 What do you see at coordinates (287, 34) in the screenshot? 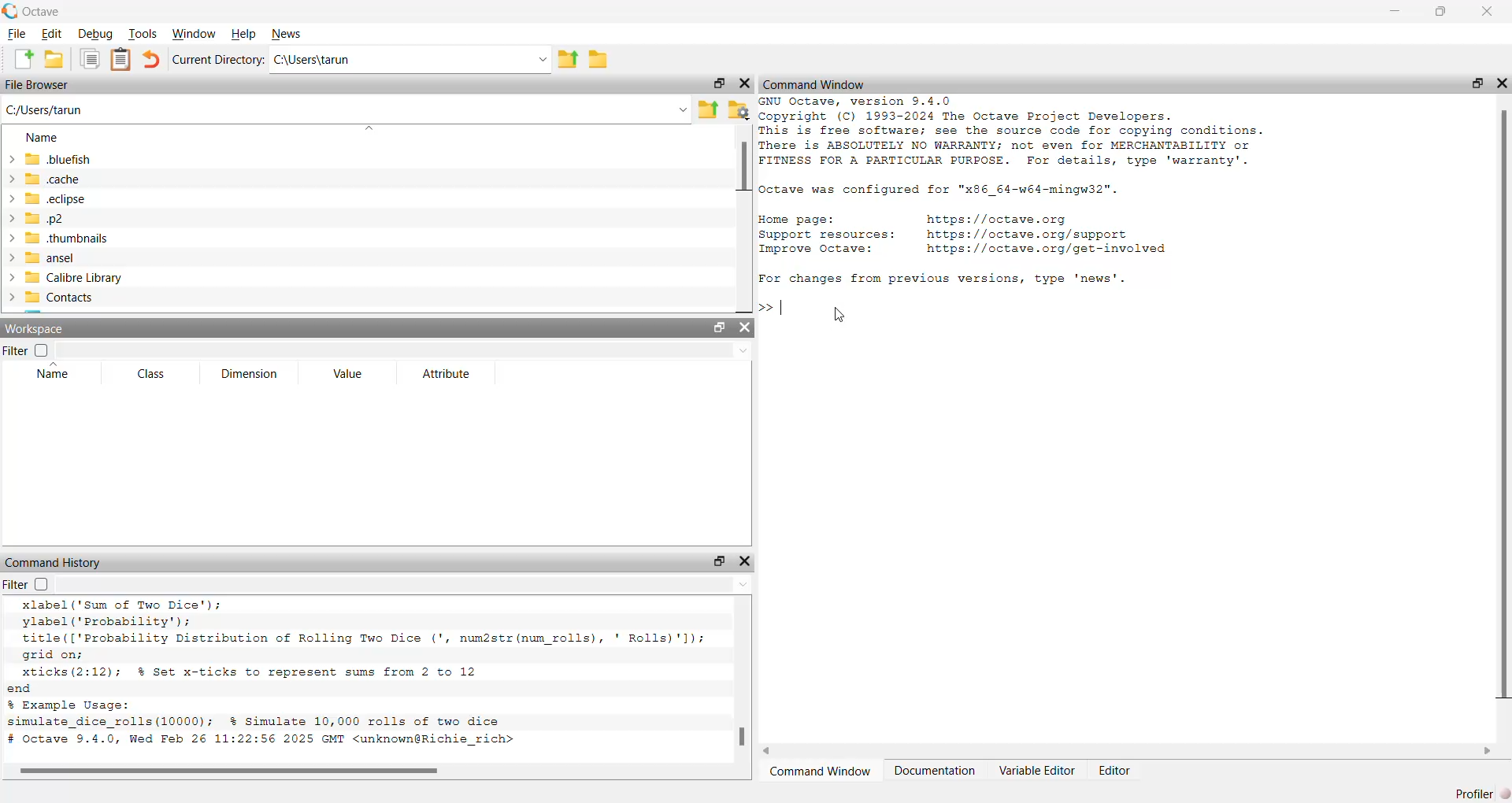
I see `News` at bounding box center [287, 34].